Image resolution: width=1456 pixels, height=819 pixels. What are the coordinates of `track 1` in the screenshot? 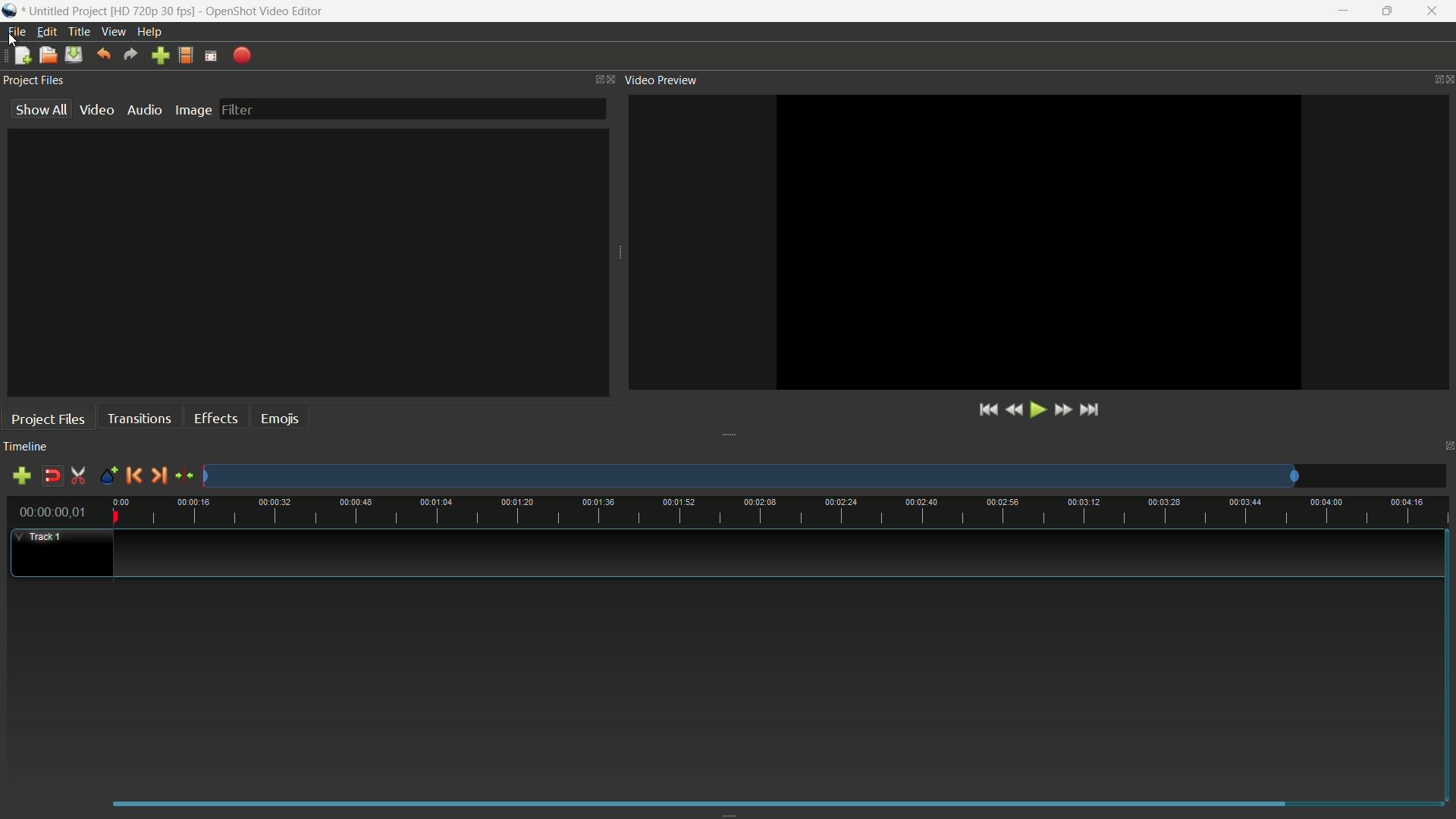 It's located at (44, 536).